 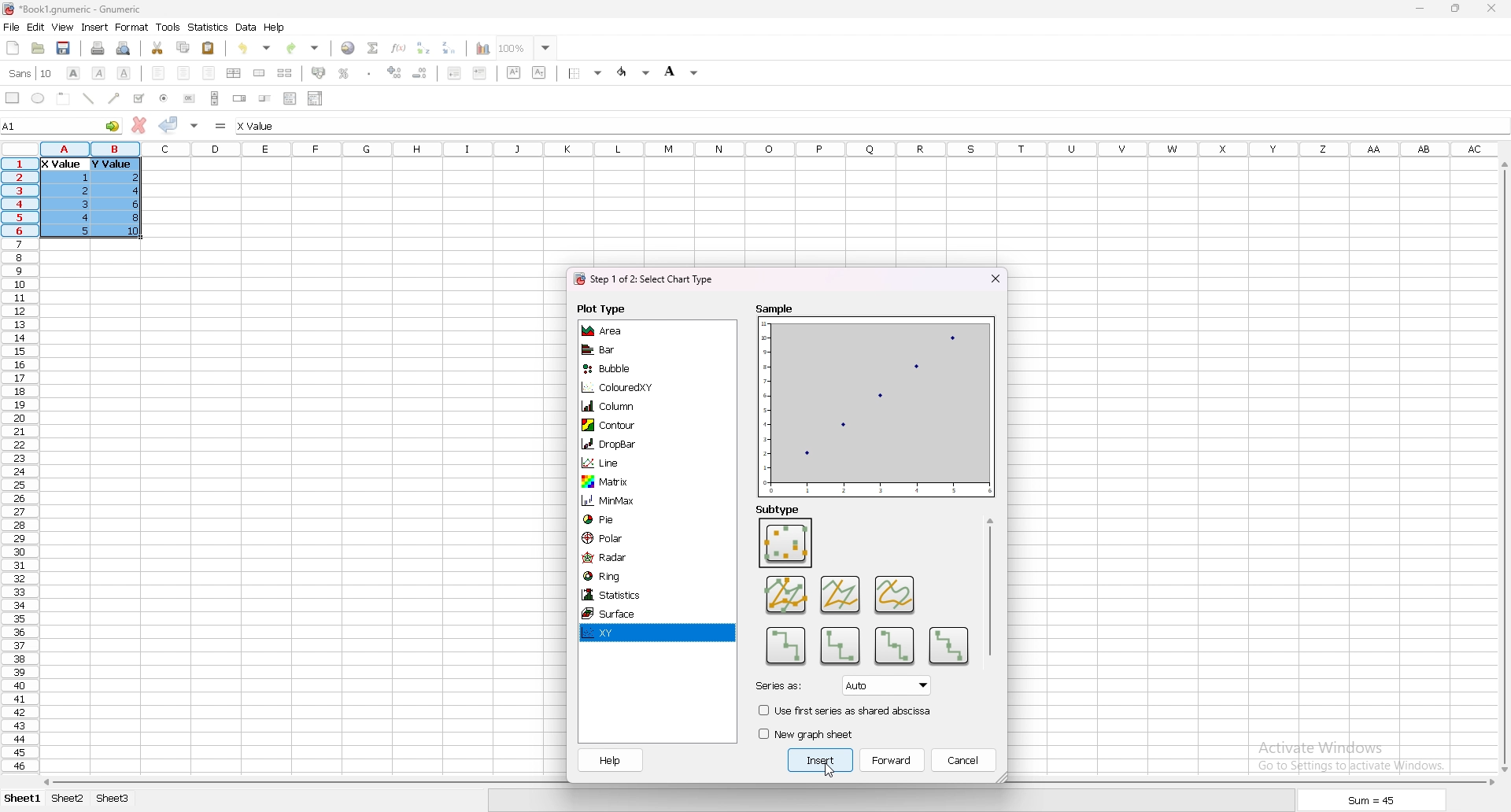 I want to click on rows, so click(x=17, y=463).